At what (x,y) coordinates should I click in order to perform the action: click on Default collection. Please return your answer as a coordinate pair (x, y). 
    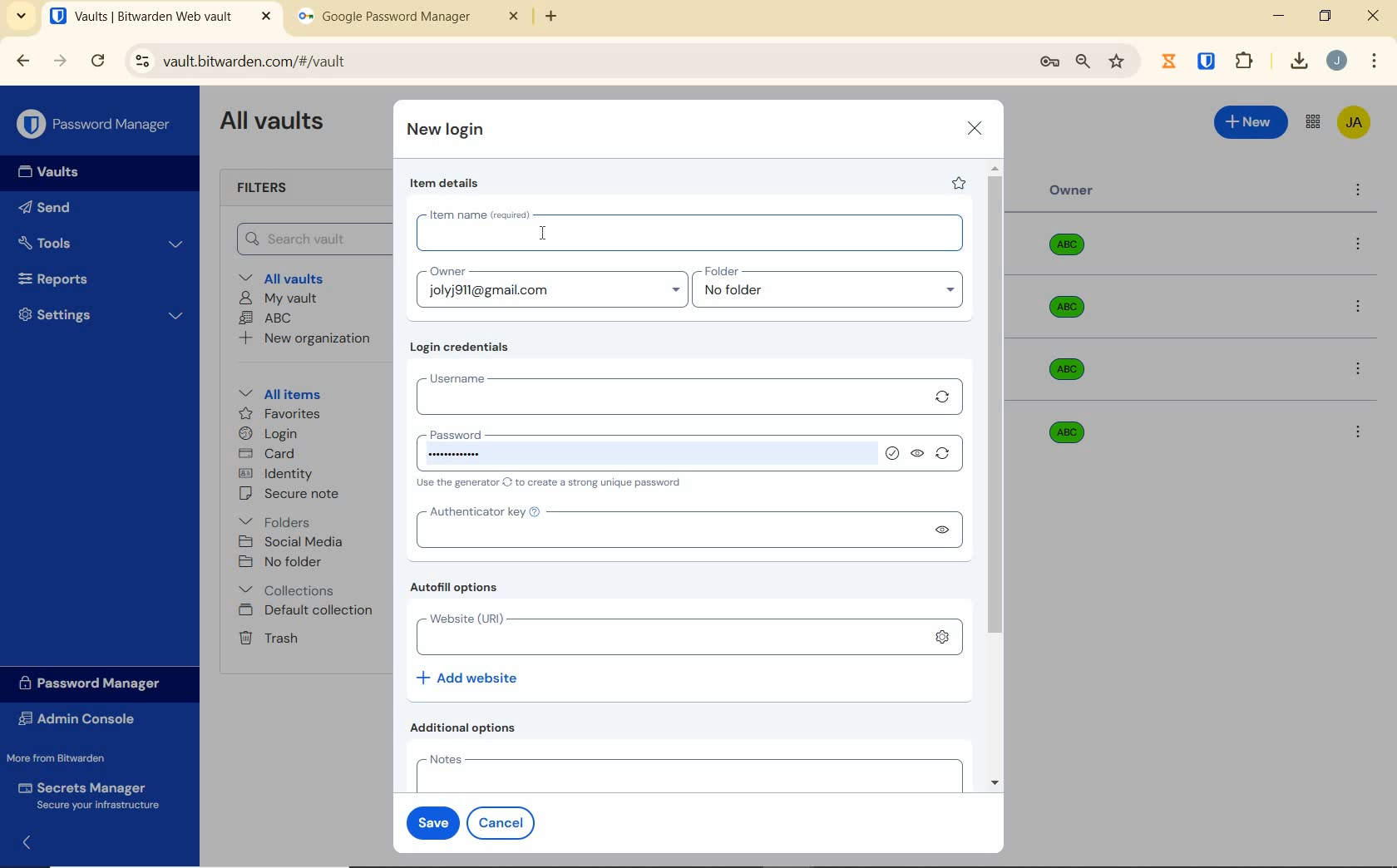
    Looking at the image, I should click on (309, 611).